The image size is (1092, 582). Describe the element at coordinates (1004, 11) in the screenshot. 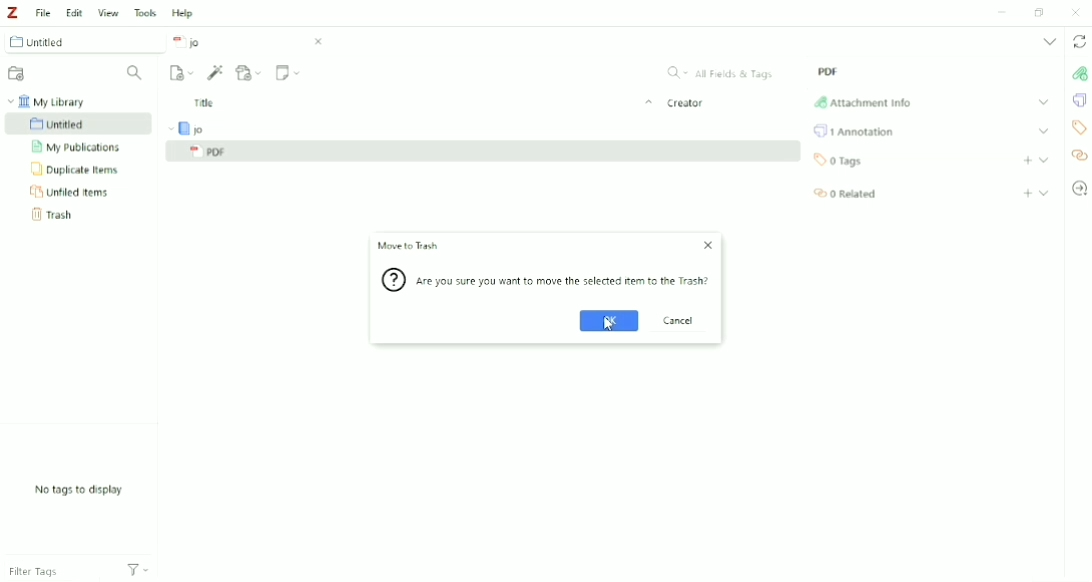

I see `Minimize` at that location.